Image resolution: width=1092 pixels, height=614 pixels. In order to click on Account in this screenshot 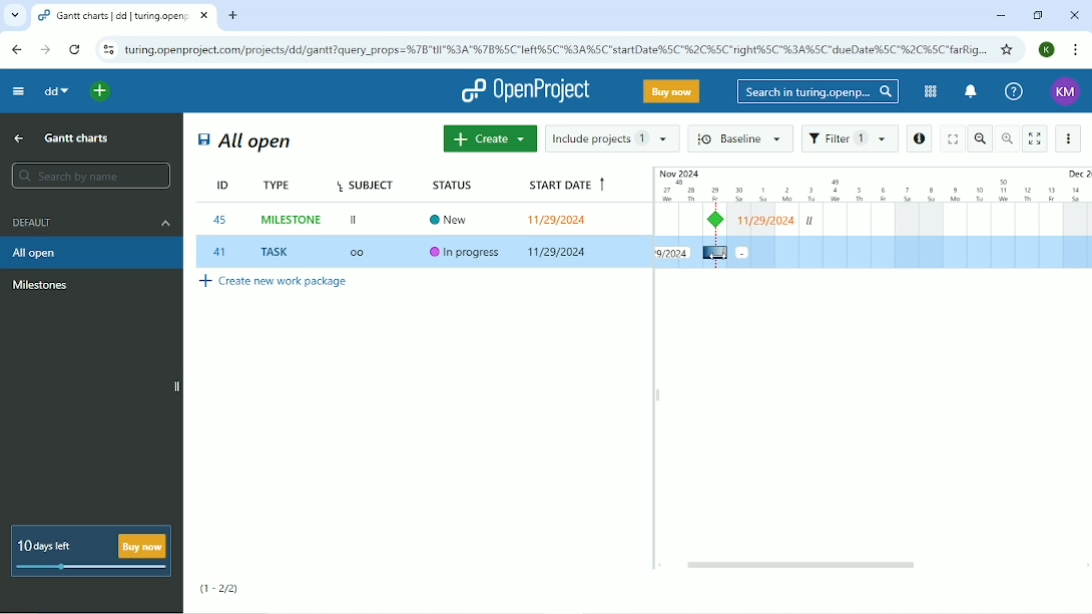, I will do `click(1067, 93)`.